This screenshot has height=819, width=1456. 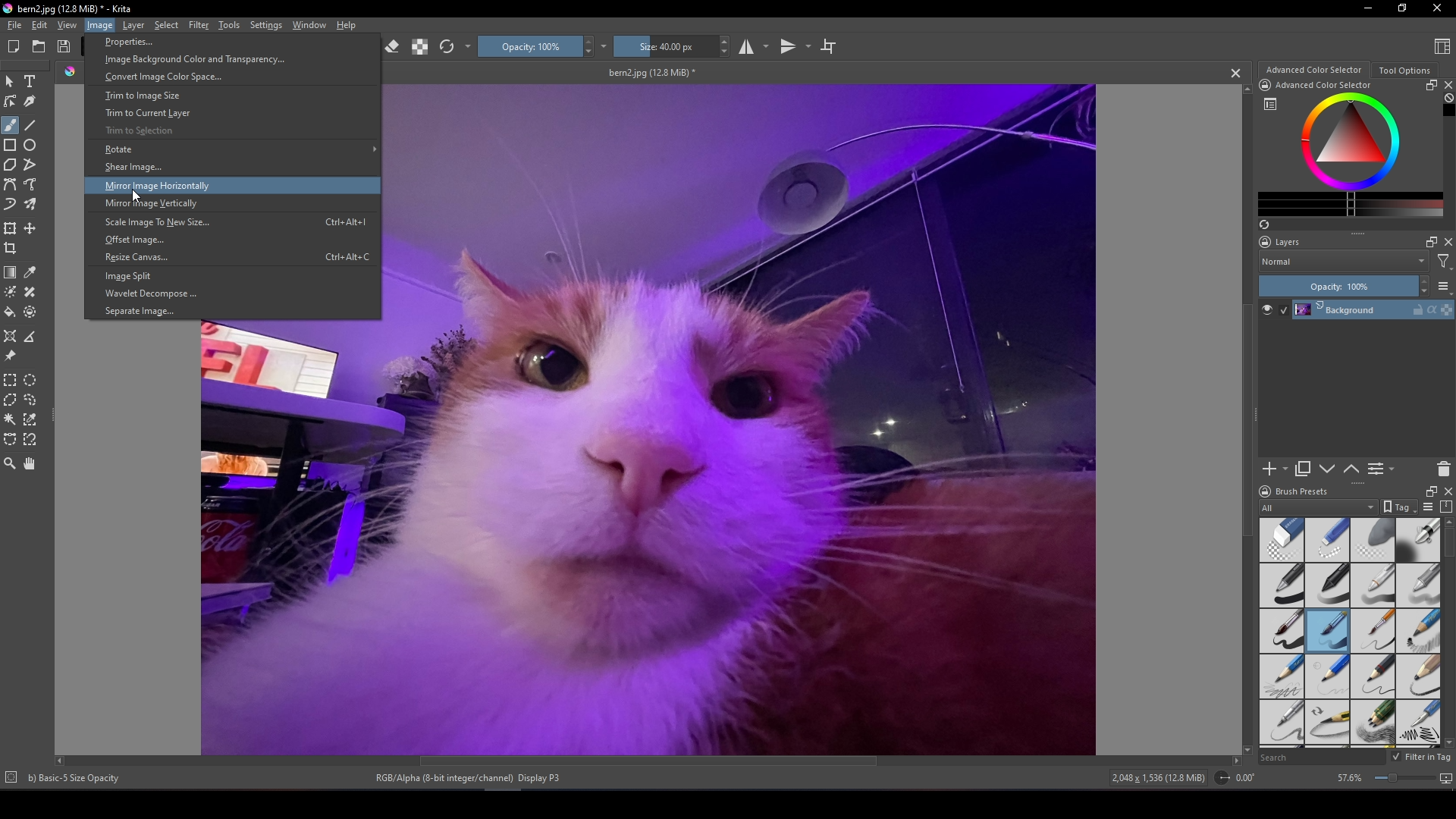 I want to click on Convert image color space, so click(x=233, y=76).